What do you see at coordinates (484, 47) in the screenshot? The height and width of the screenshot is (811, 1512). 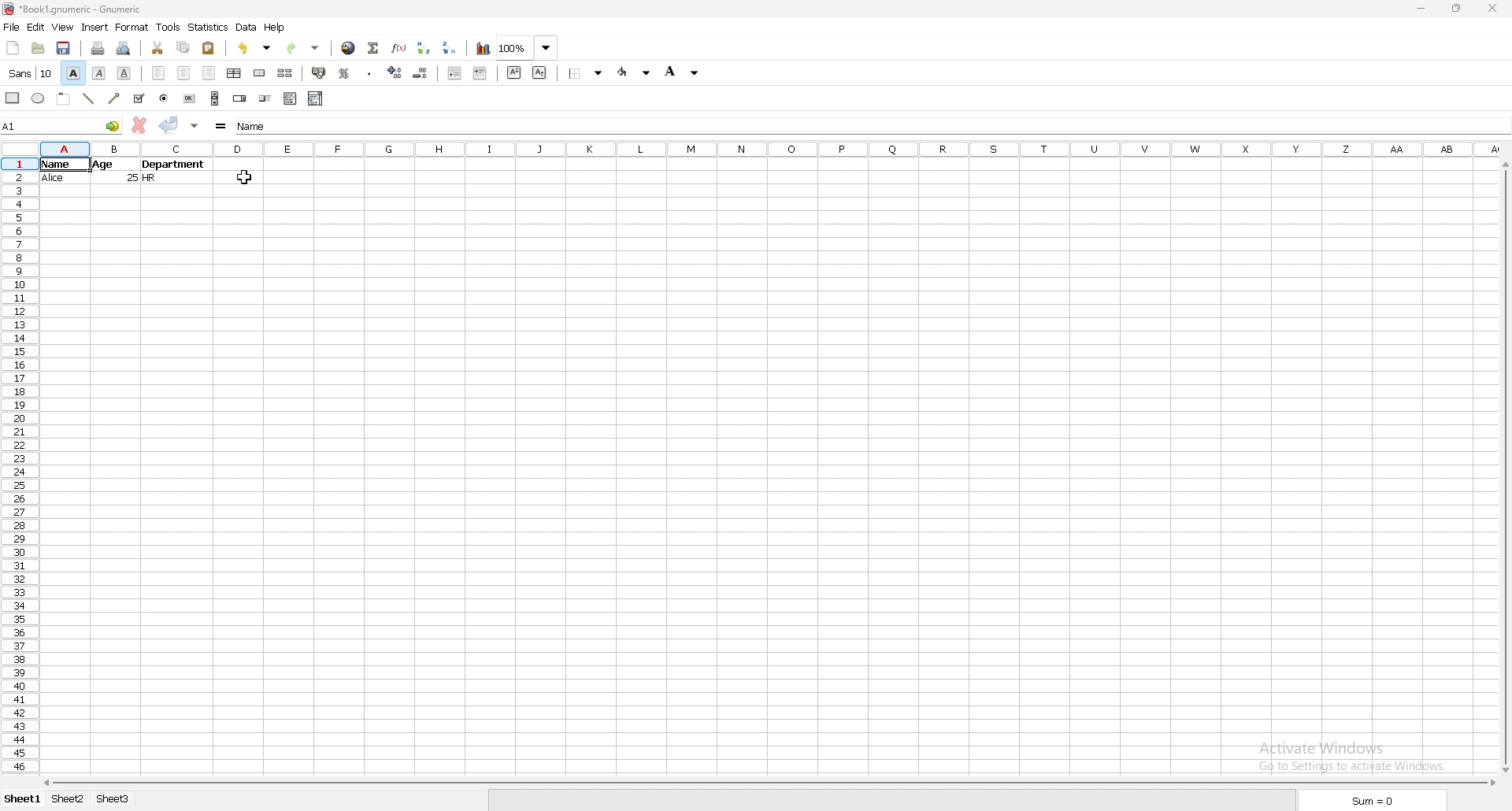 I see `chart` at bounding box center [484, 47].